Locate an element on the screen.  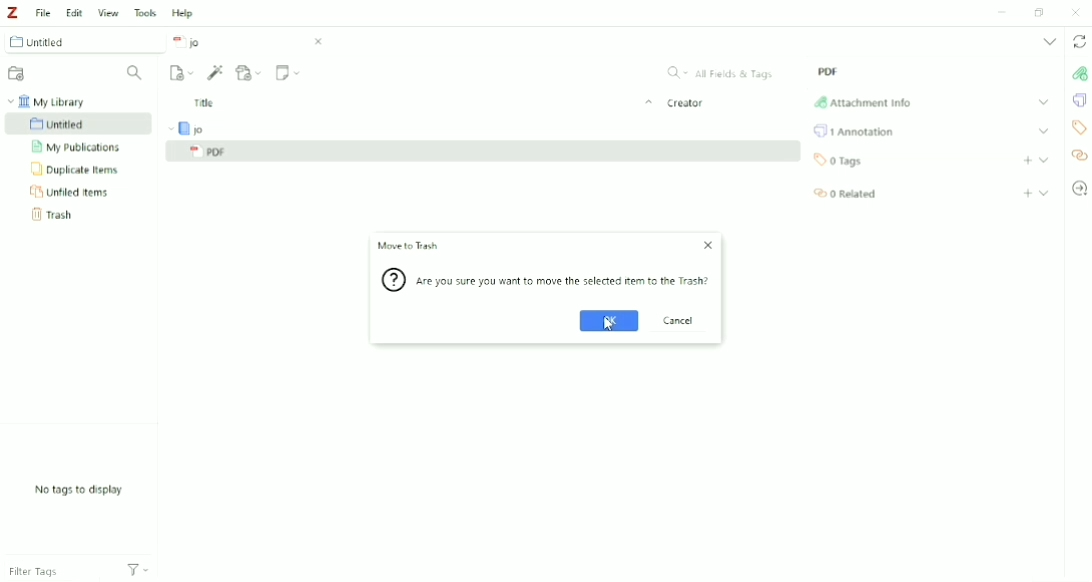
Add Attachment is located at coordinates (249, 73).